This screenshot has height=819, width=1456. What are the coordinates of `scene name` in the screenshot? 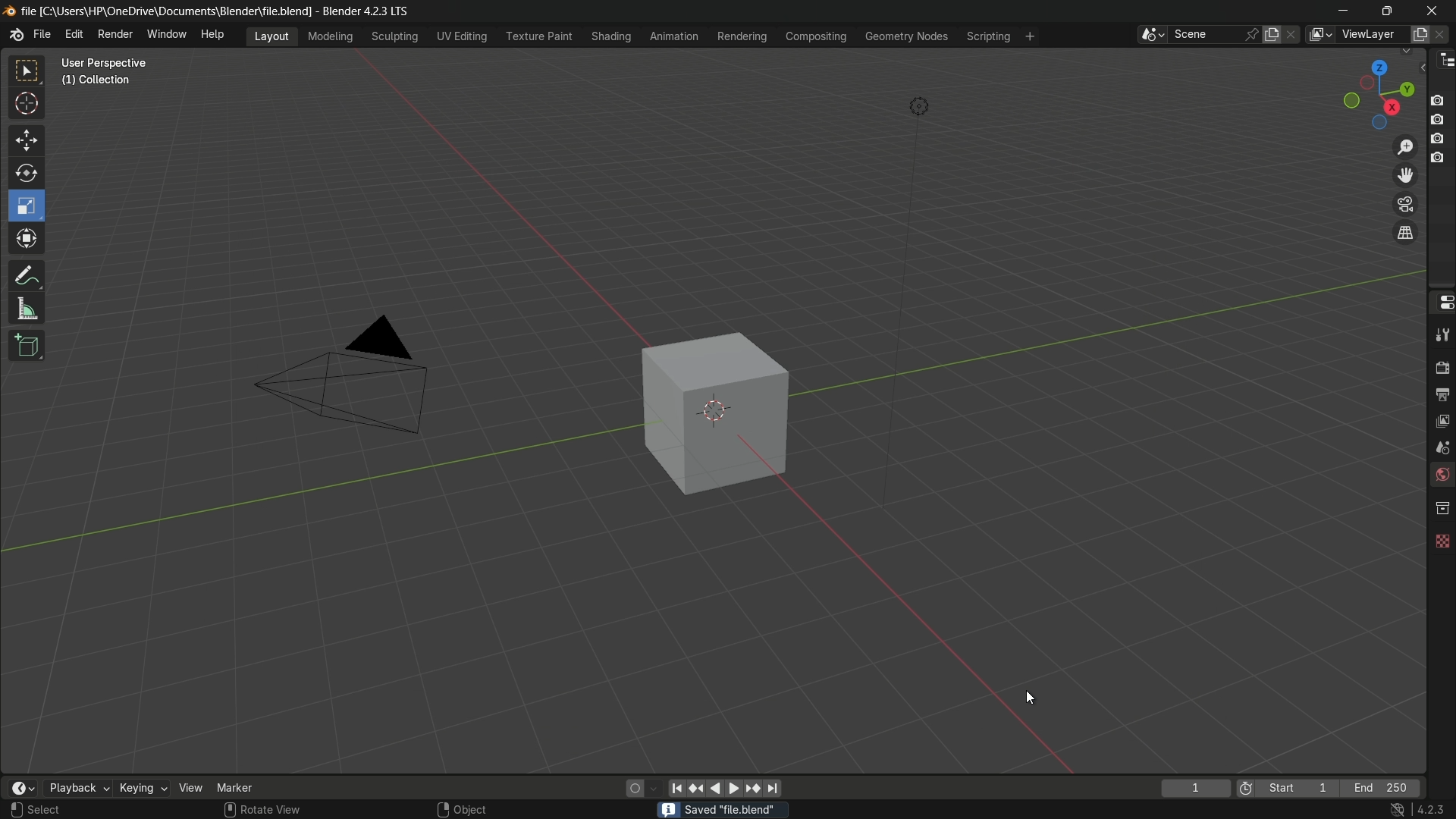 It's located at (1205, 33).